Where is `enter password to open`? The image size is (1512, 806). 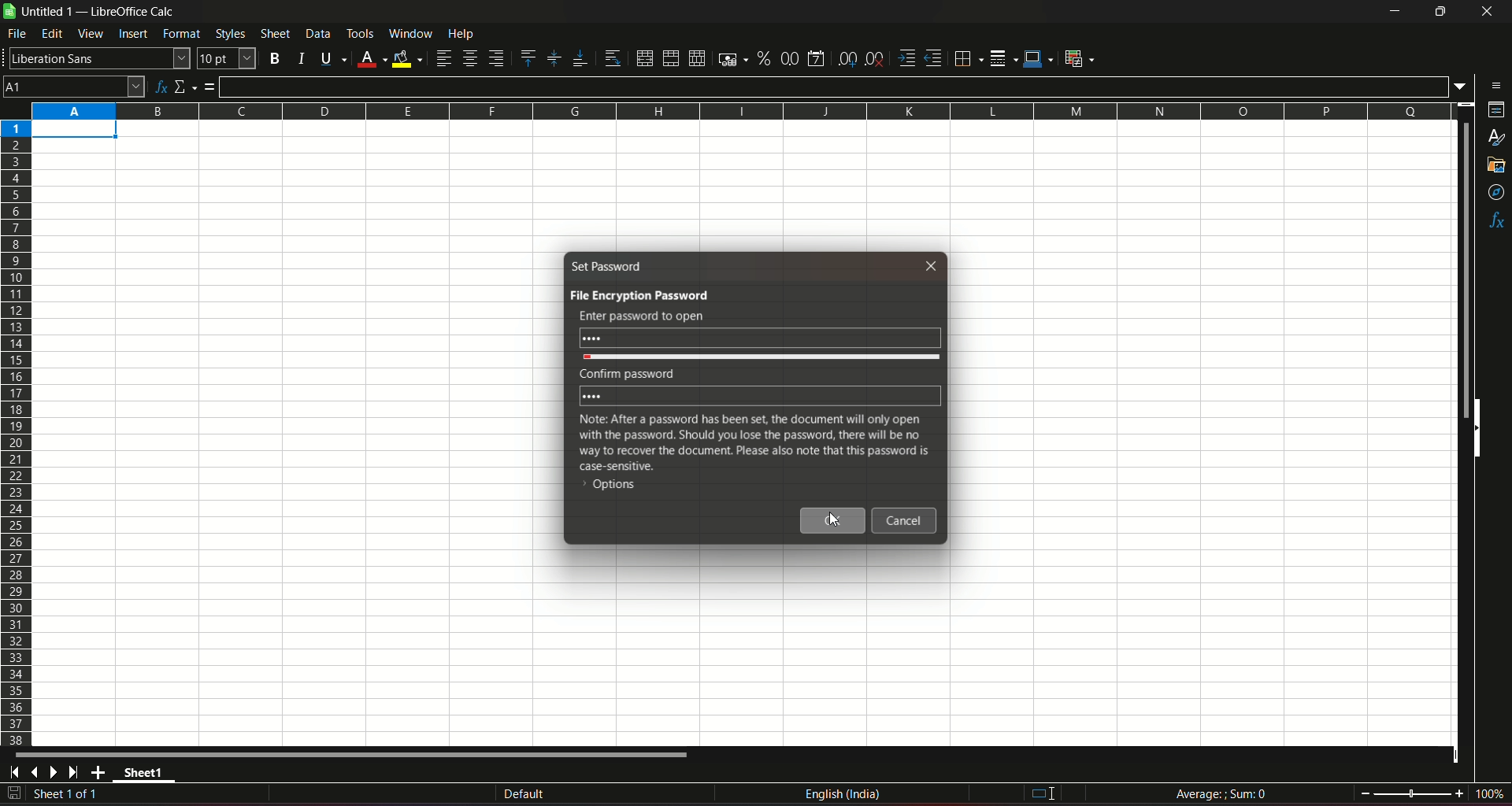 enter password to open is located at coordinates (641, 316).